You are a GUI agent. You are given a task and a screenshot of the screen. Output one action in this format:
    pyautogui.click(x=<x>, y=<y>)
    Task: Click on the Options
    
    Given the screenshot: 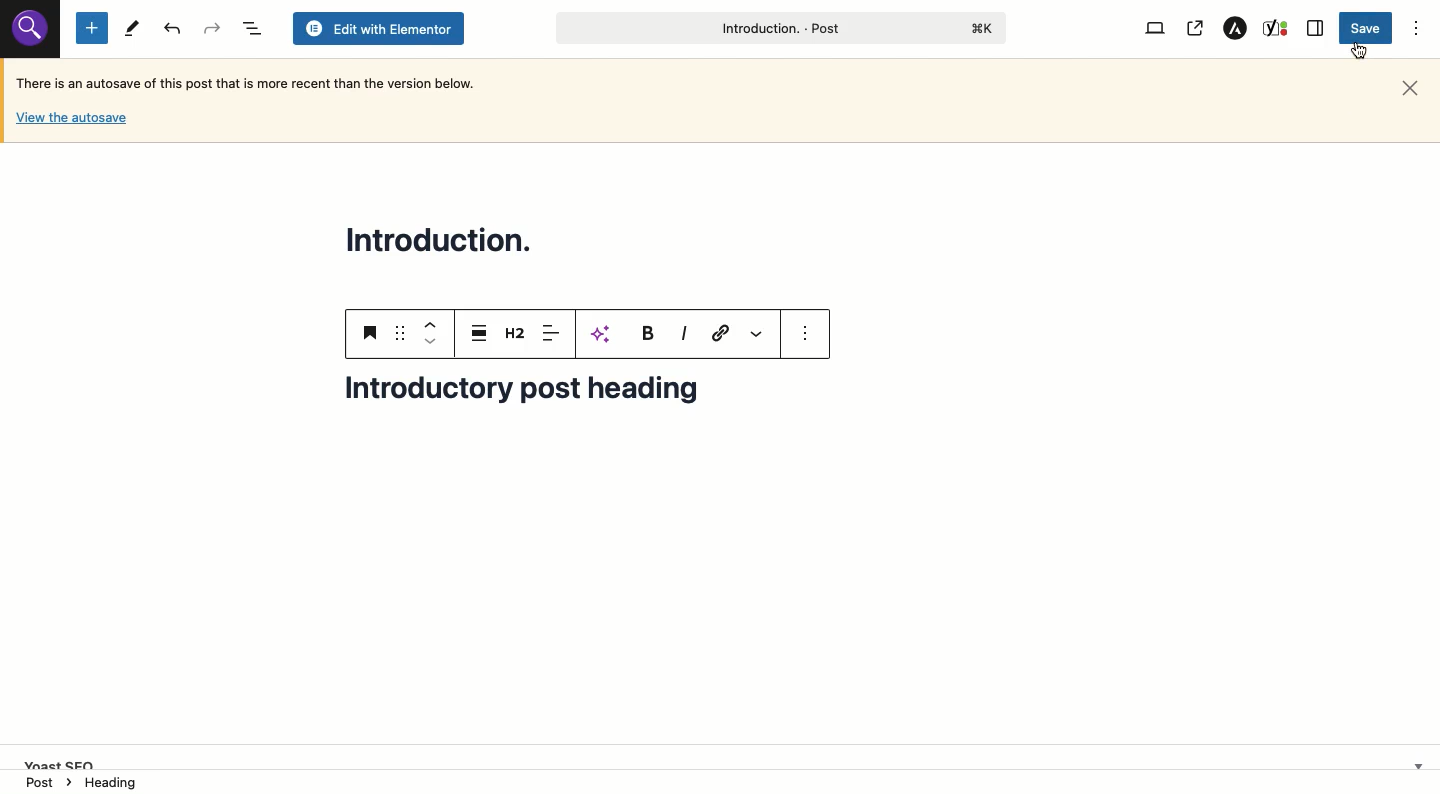 What is the action you would take?
    pyautogui.click(x=1417, y=29)
    